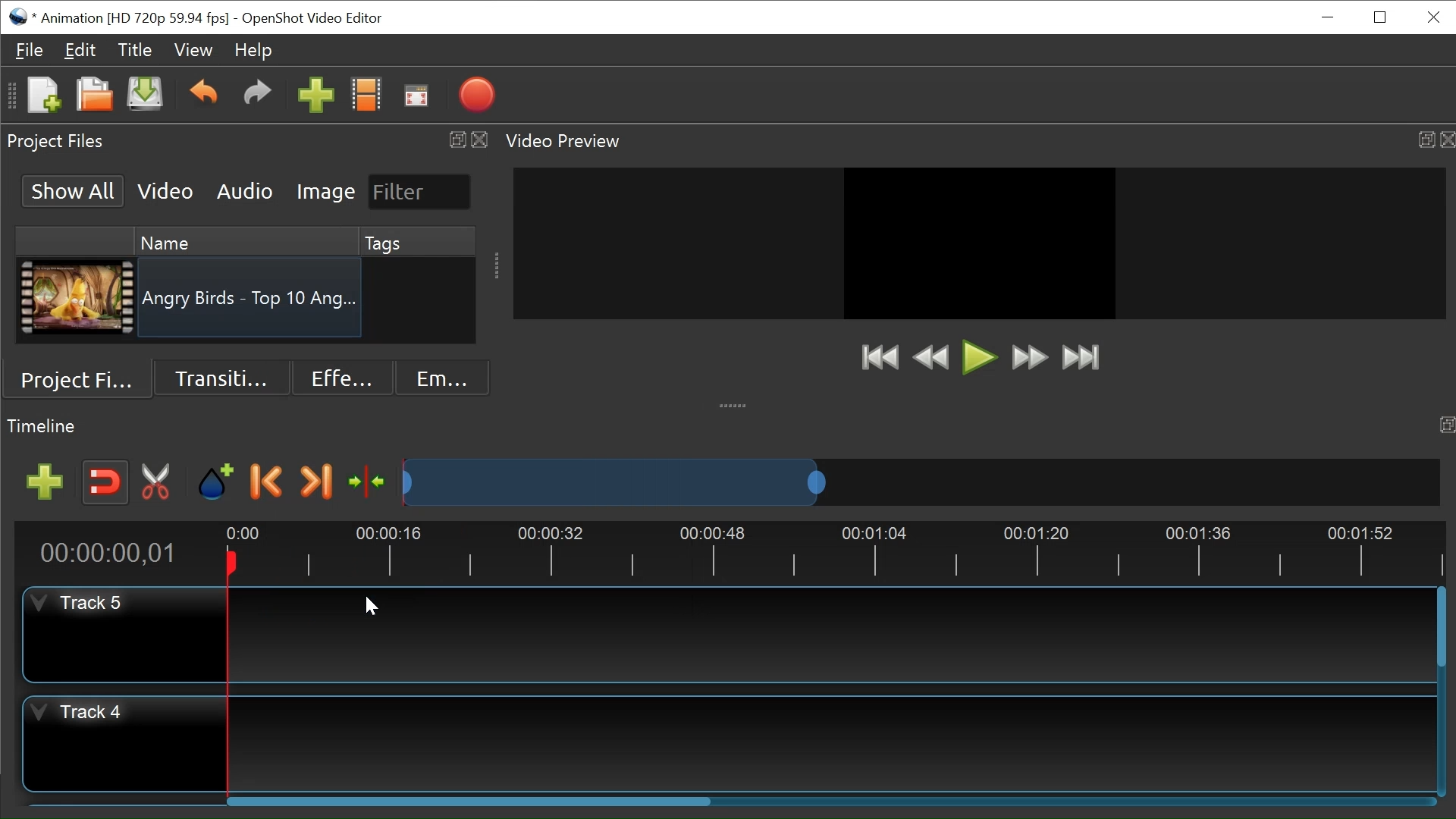  What do you see at coordinates (826, 551) in the screenshot?
I see `Timeline` at bounding box center [826, 551].